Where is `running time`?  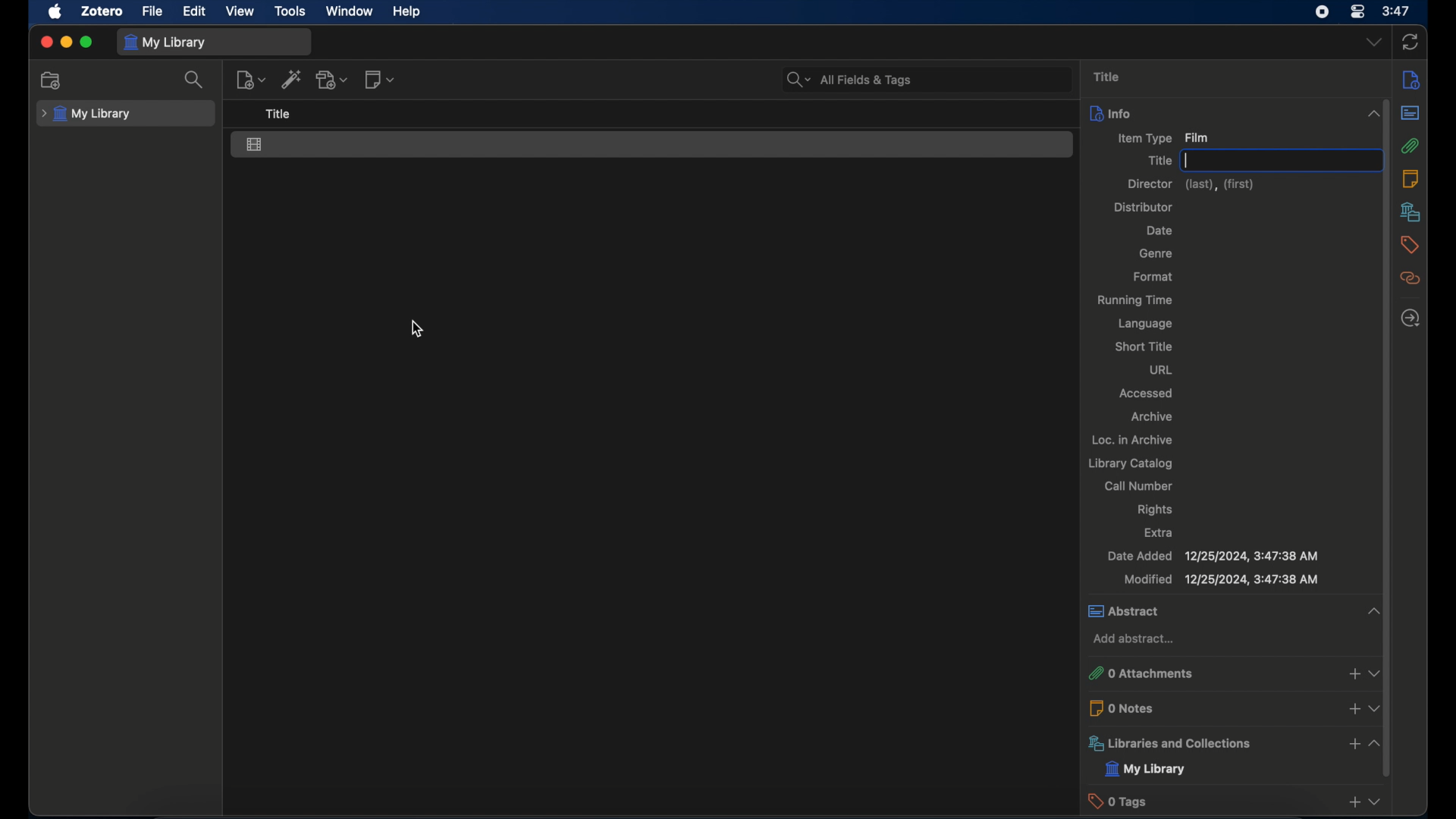
running time is located at coordinates (1136, 300).